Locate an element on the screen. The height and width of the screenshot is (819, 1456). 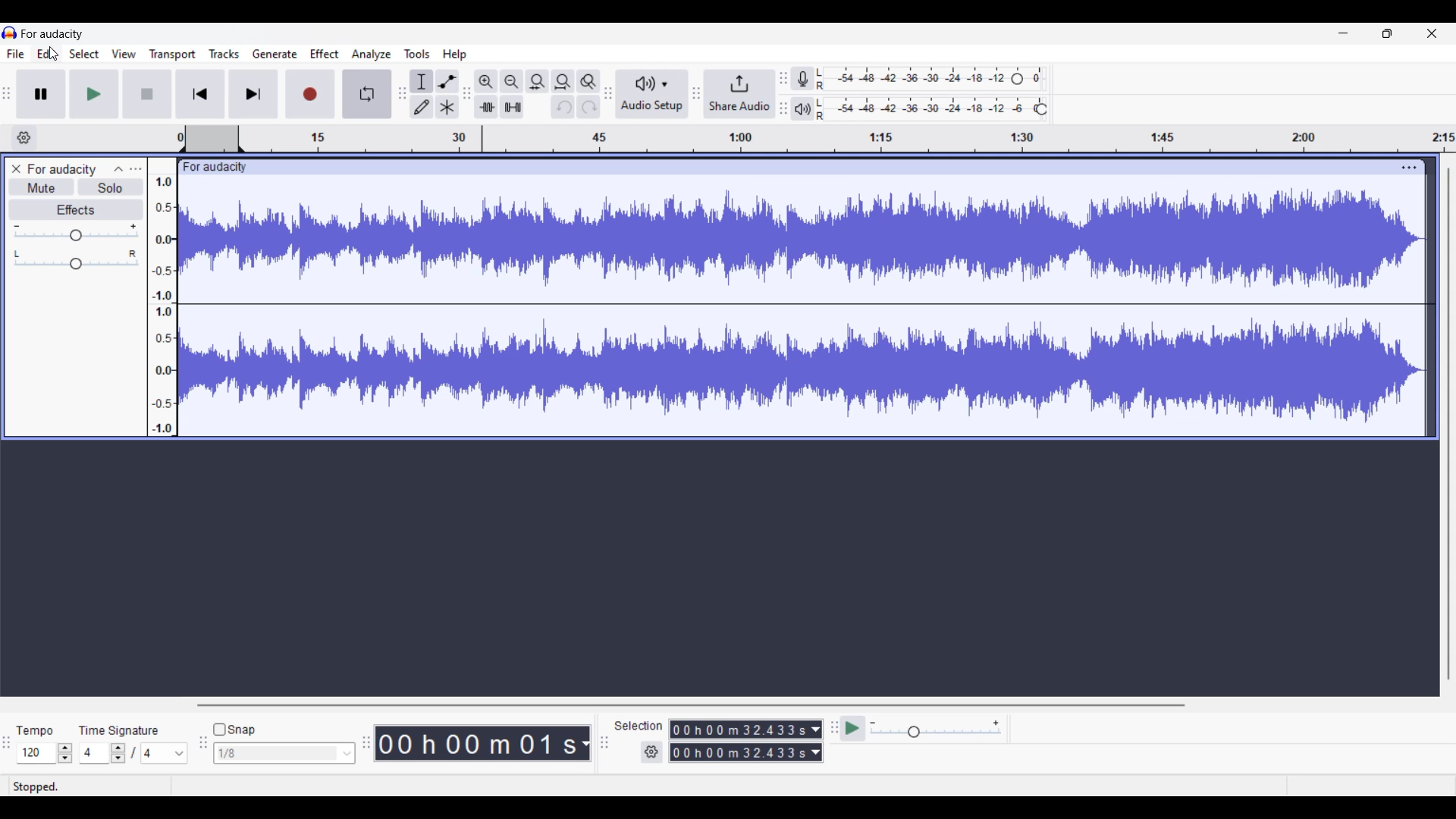
Collapse  is located at coordinates (118, 170).